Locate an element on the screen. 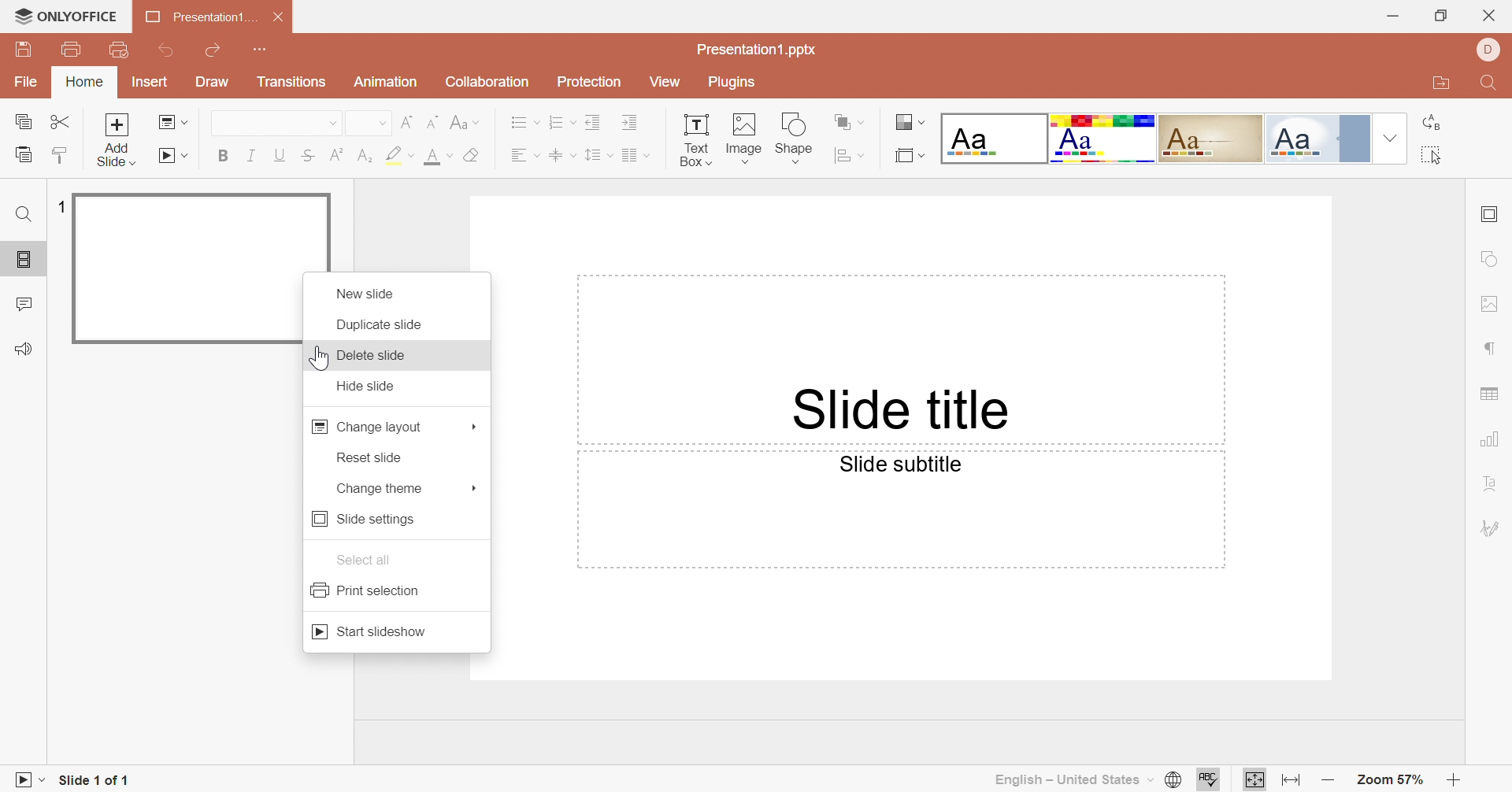 The image size is (1512, 792). Fit to width is located at coordinates (1291, 781).